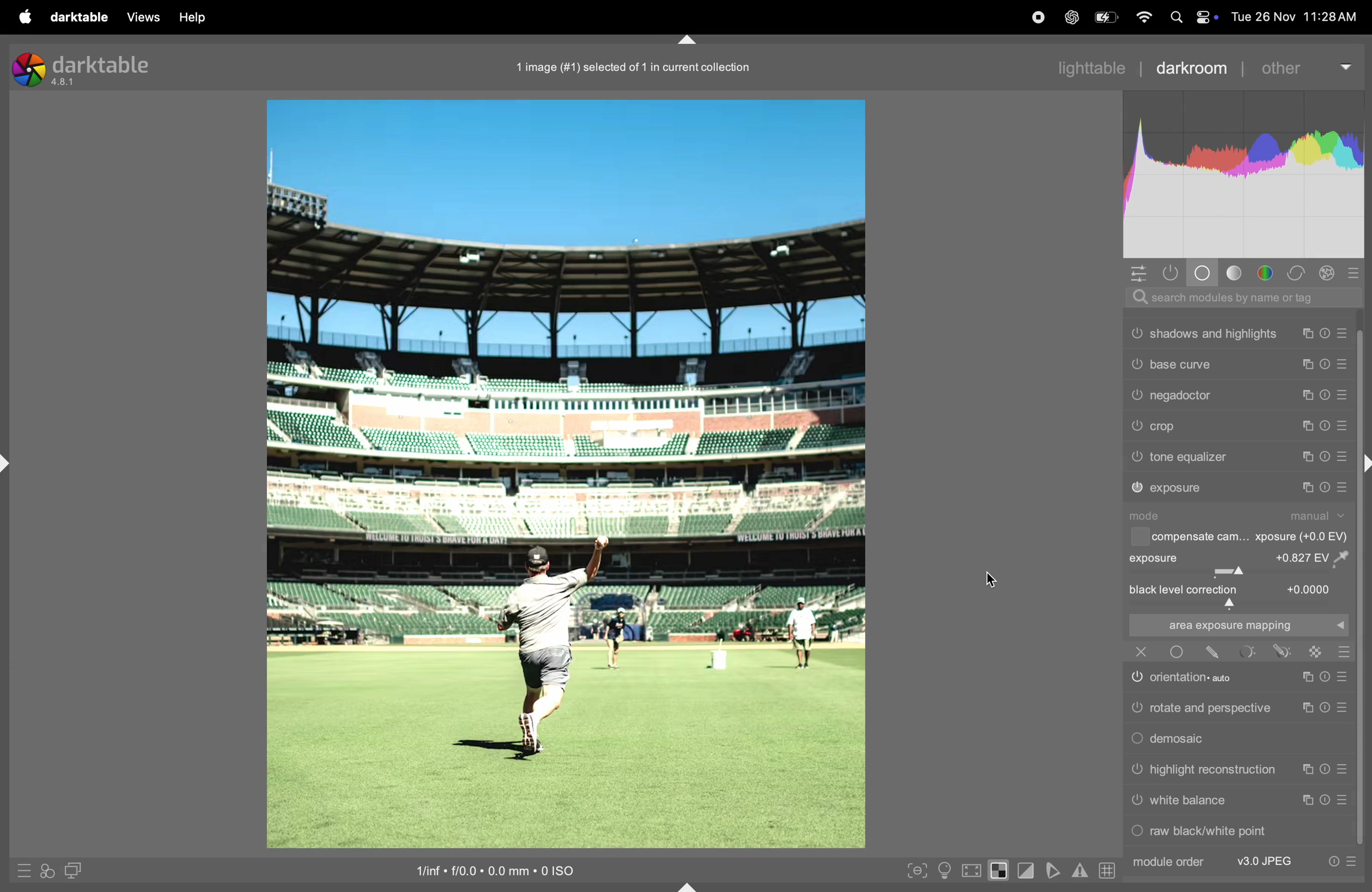  What do you see at coordinates (1178, 488) in the screenshot?
I see `exposure` at bounding box center [1178, 488].